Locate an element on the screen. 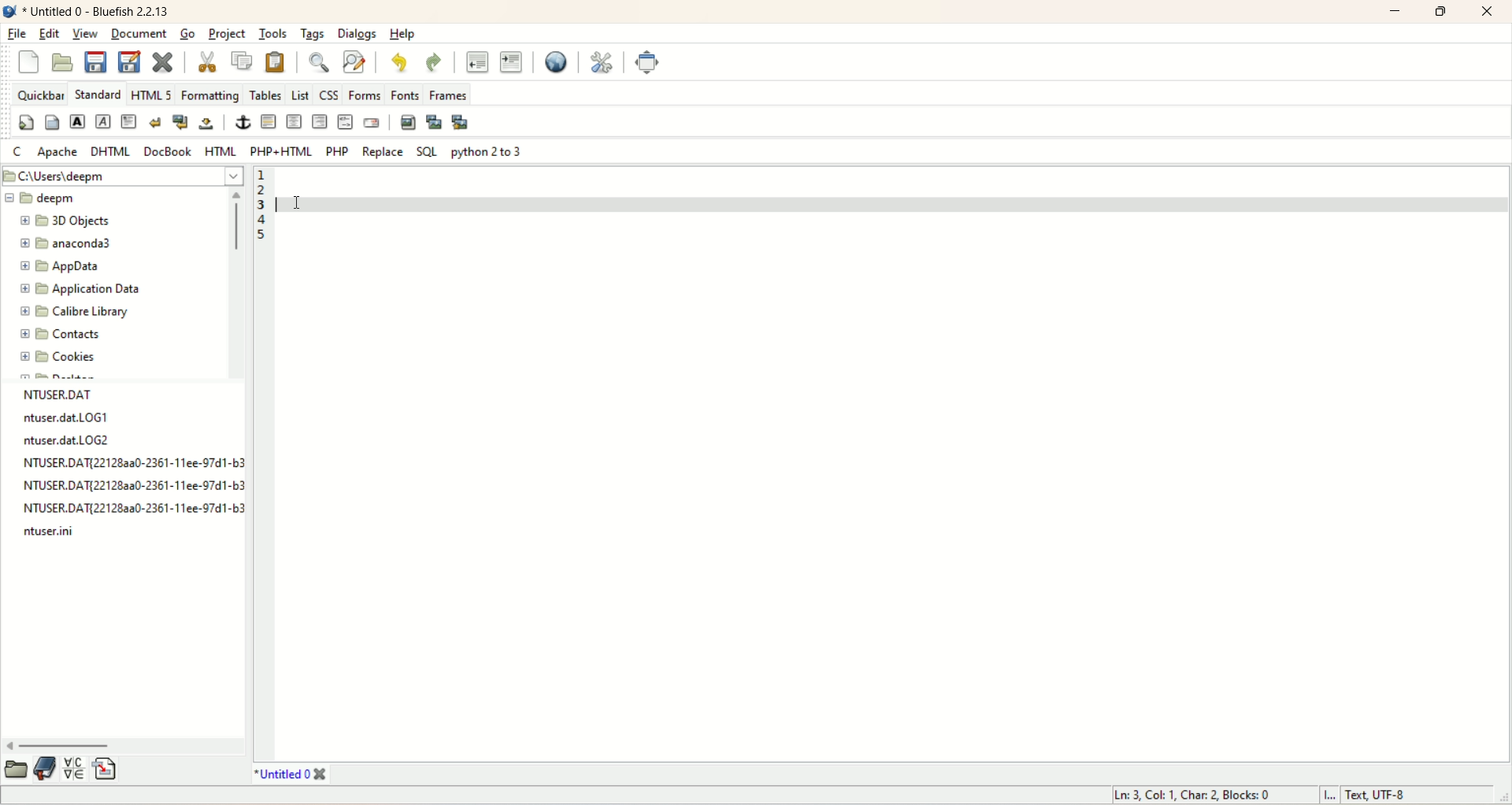 The height and width of the screenshot is (805, 1512). HTML is located at coordinates (224, 152).